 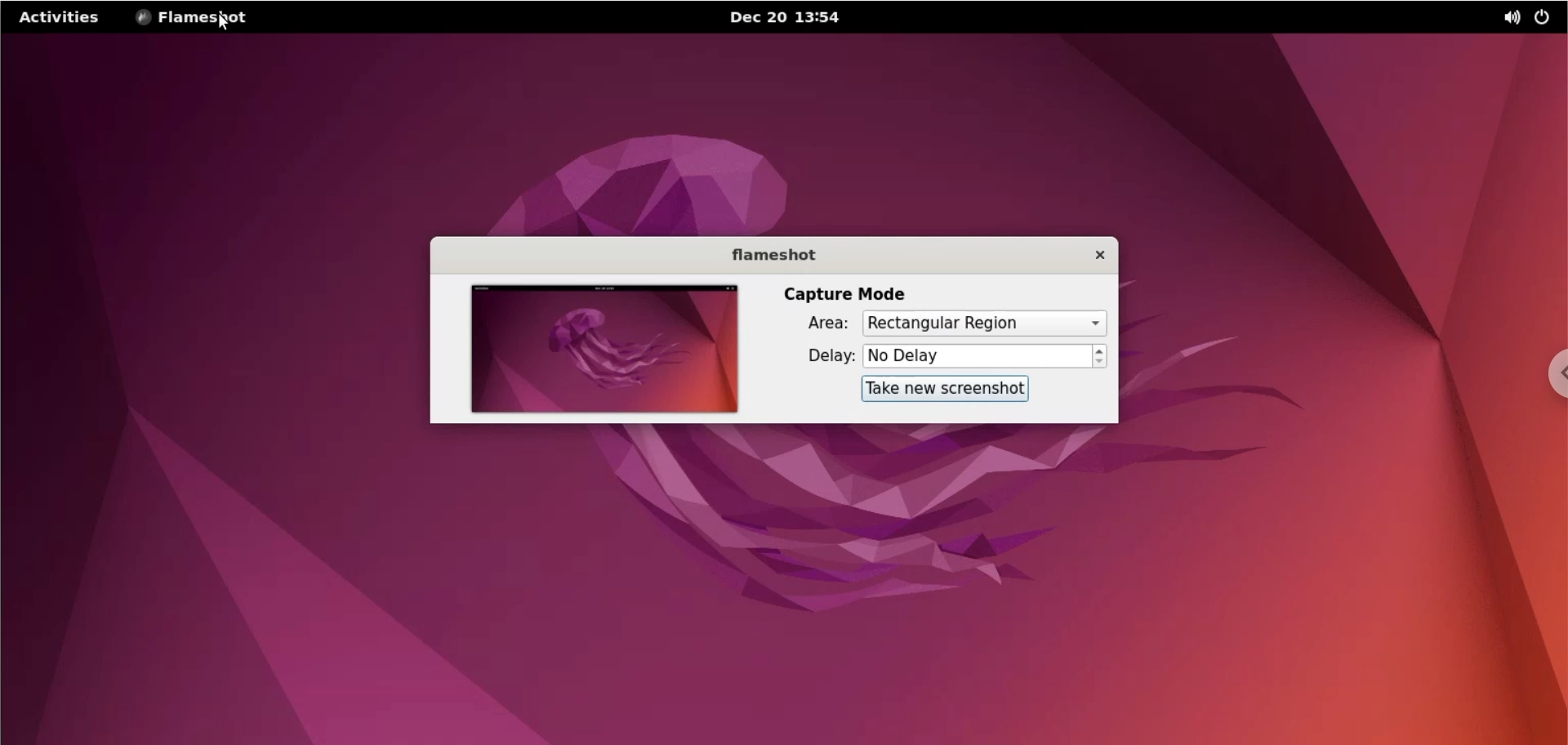 What do you see at coordinates (783, 254) in the screenshot?
I see `flameshot ` at bounding box center [783, 254].